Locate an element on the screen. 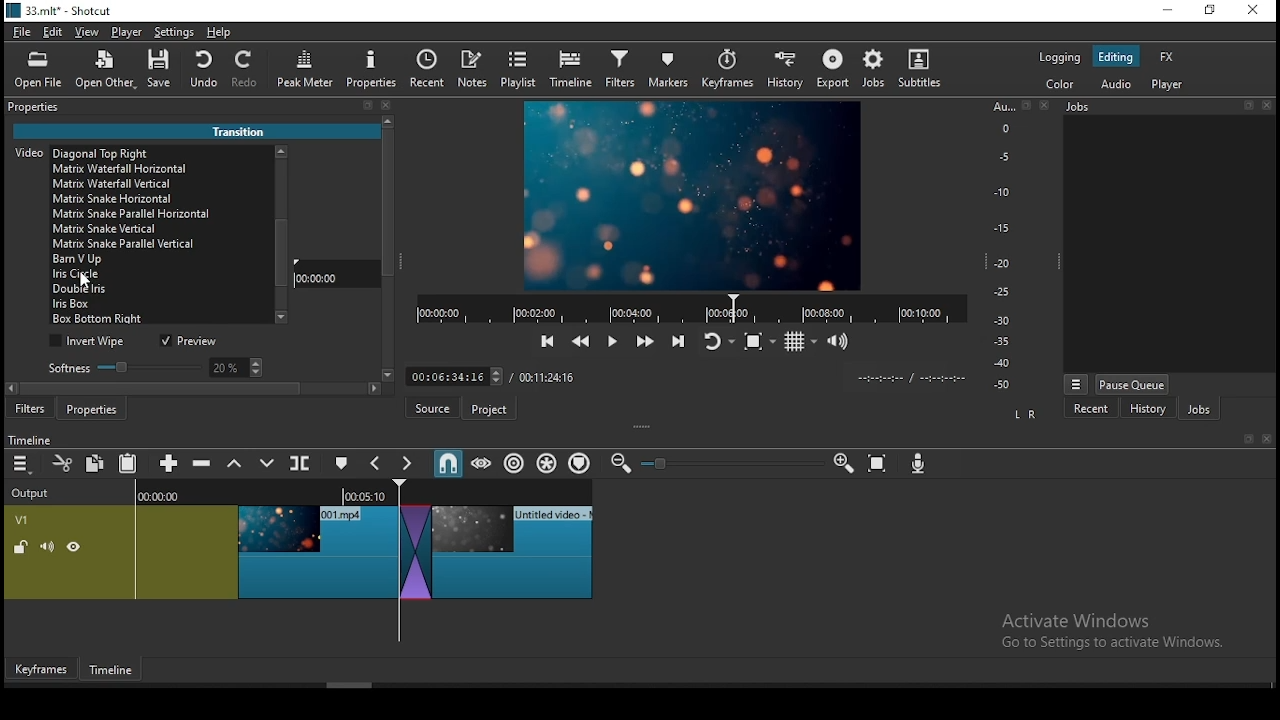 The width and height of the screenshot is (1280, 720). Transition is located at coordinates (246, 129).